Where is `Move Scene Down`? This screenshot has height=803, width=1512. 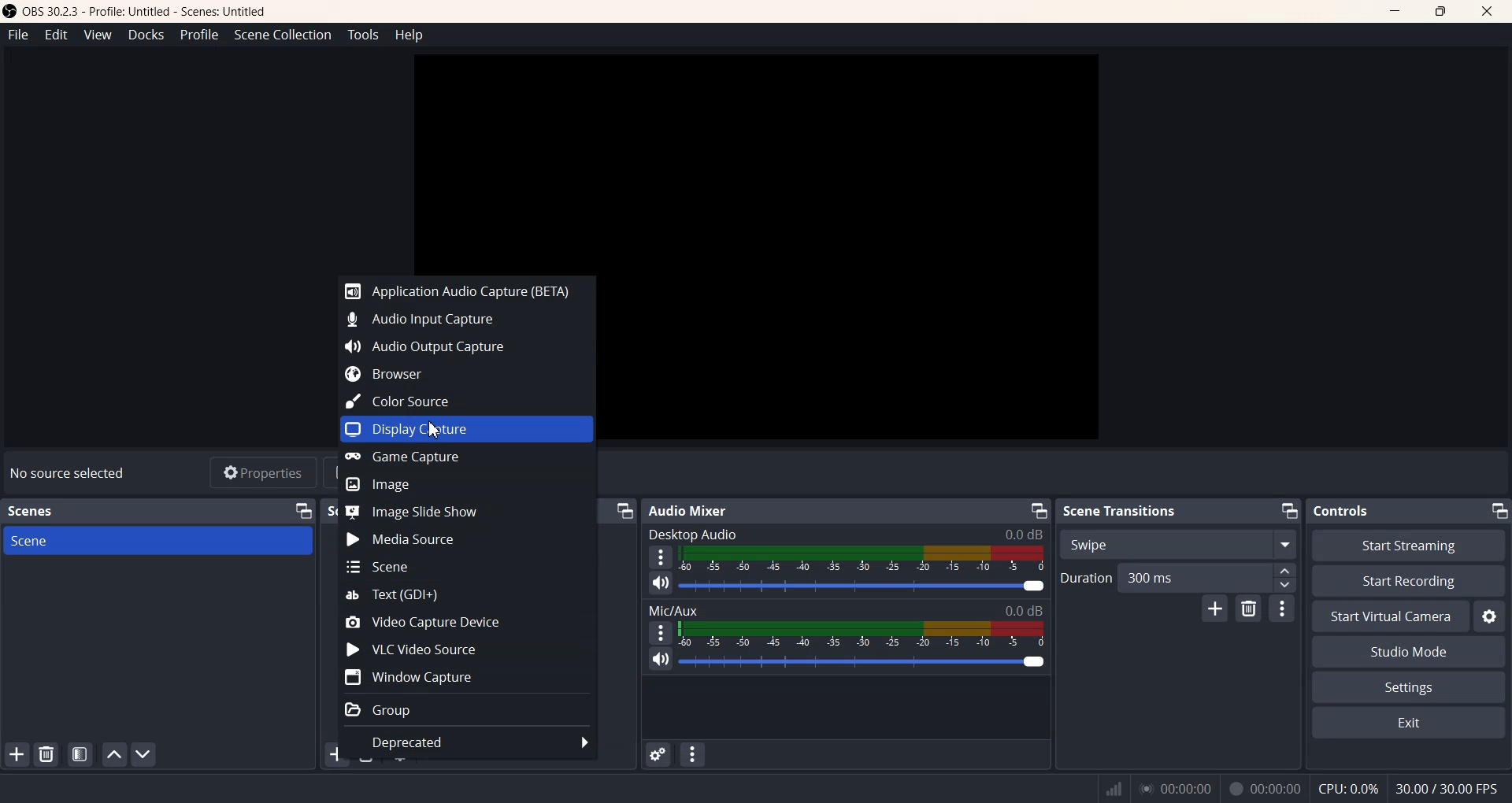 Move Scene Down is located at coordinates (143, 753).